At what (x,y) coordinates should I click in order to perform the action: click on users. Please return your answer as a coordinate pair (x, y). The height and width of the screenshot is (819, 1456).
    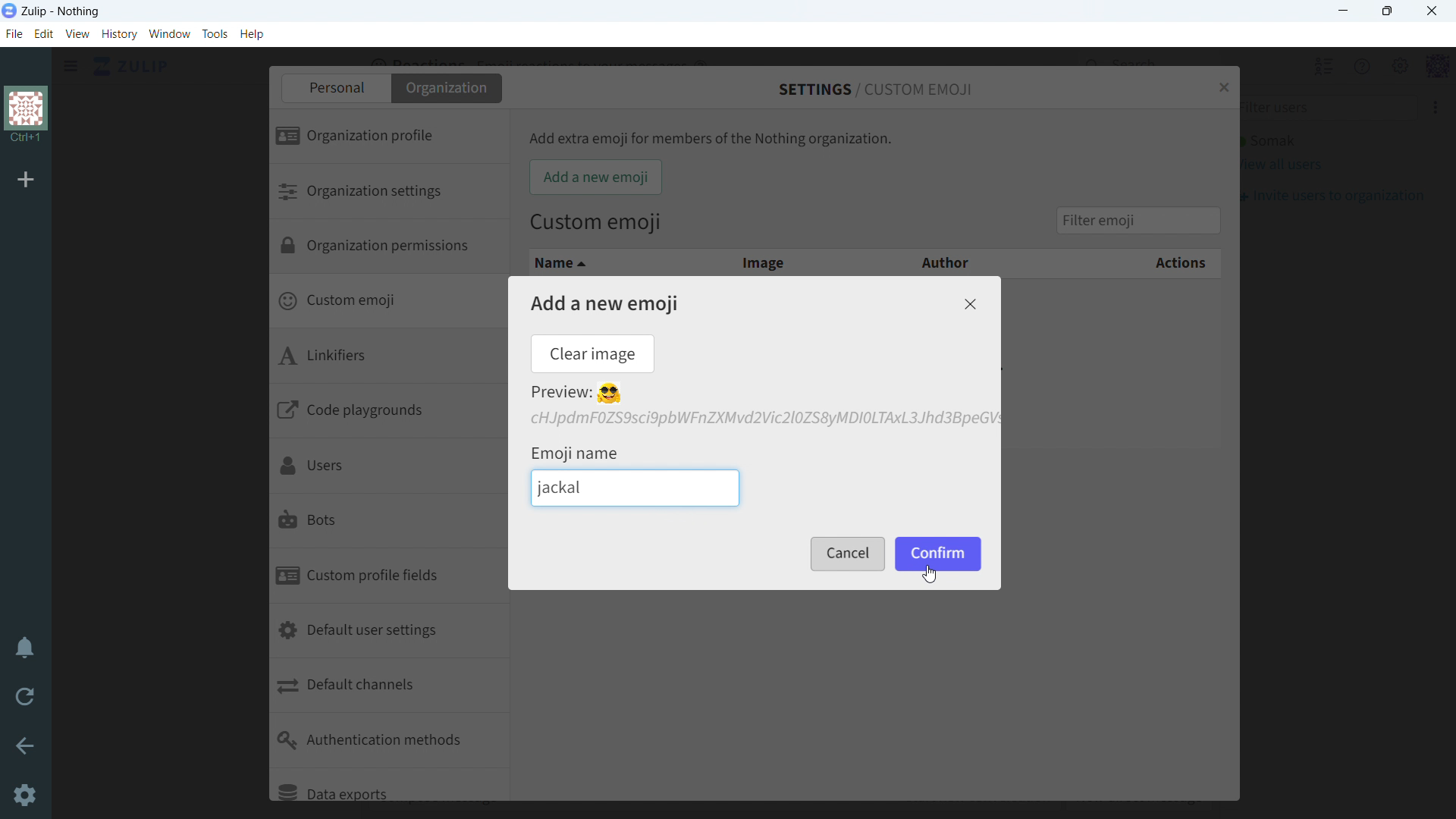
    Looking at the image, I should click on (385, 467).